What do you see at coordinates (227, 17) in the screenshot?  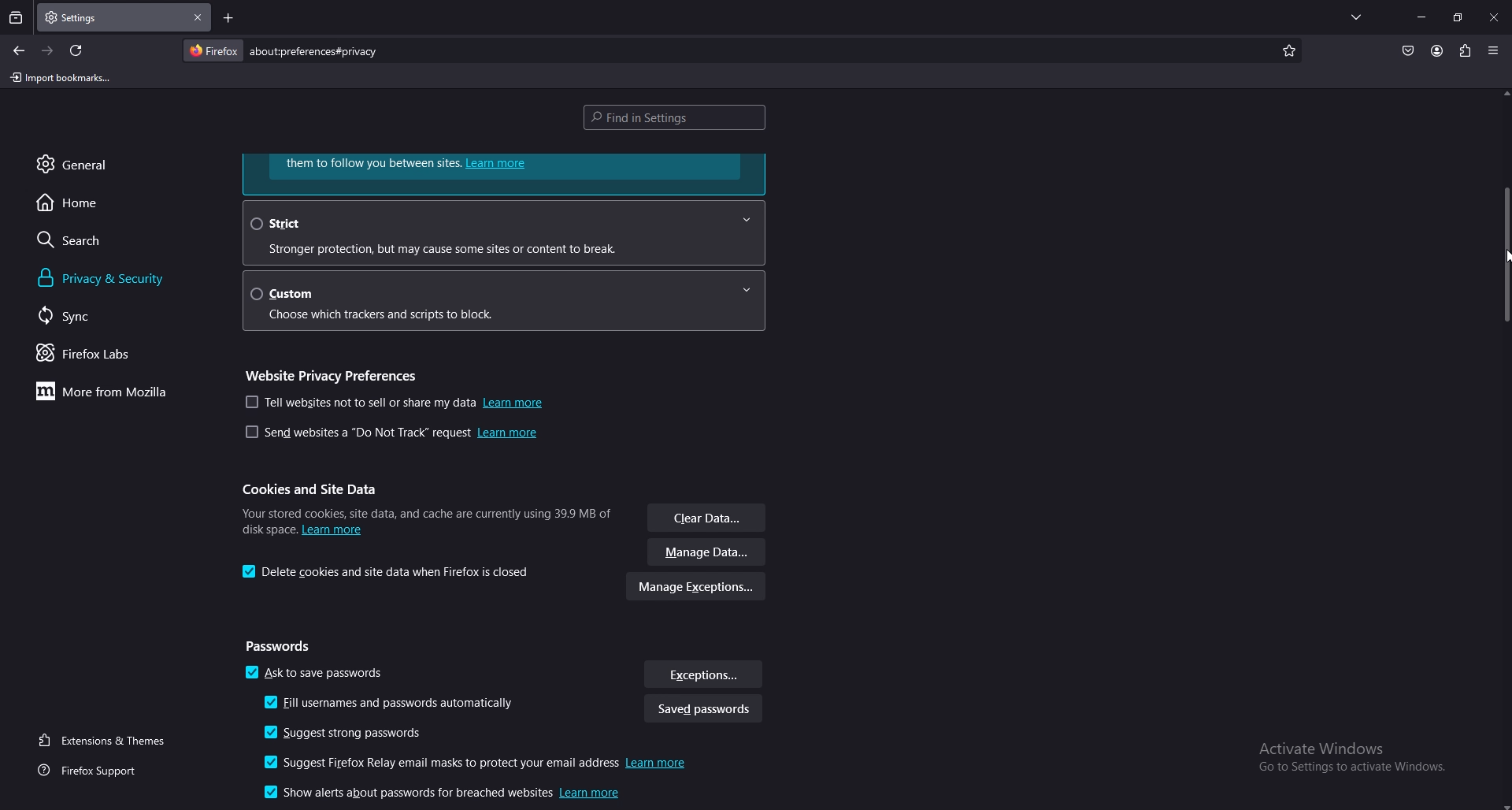 I see `add tab` at bounding box center [227, 17].